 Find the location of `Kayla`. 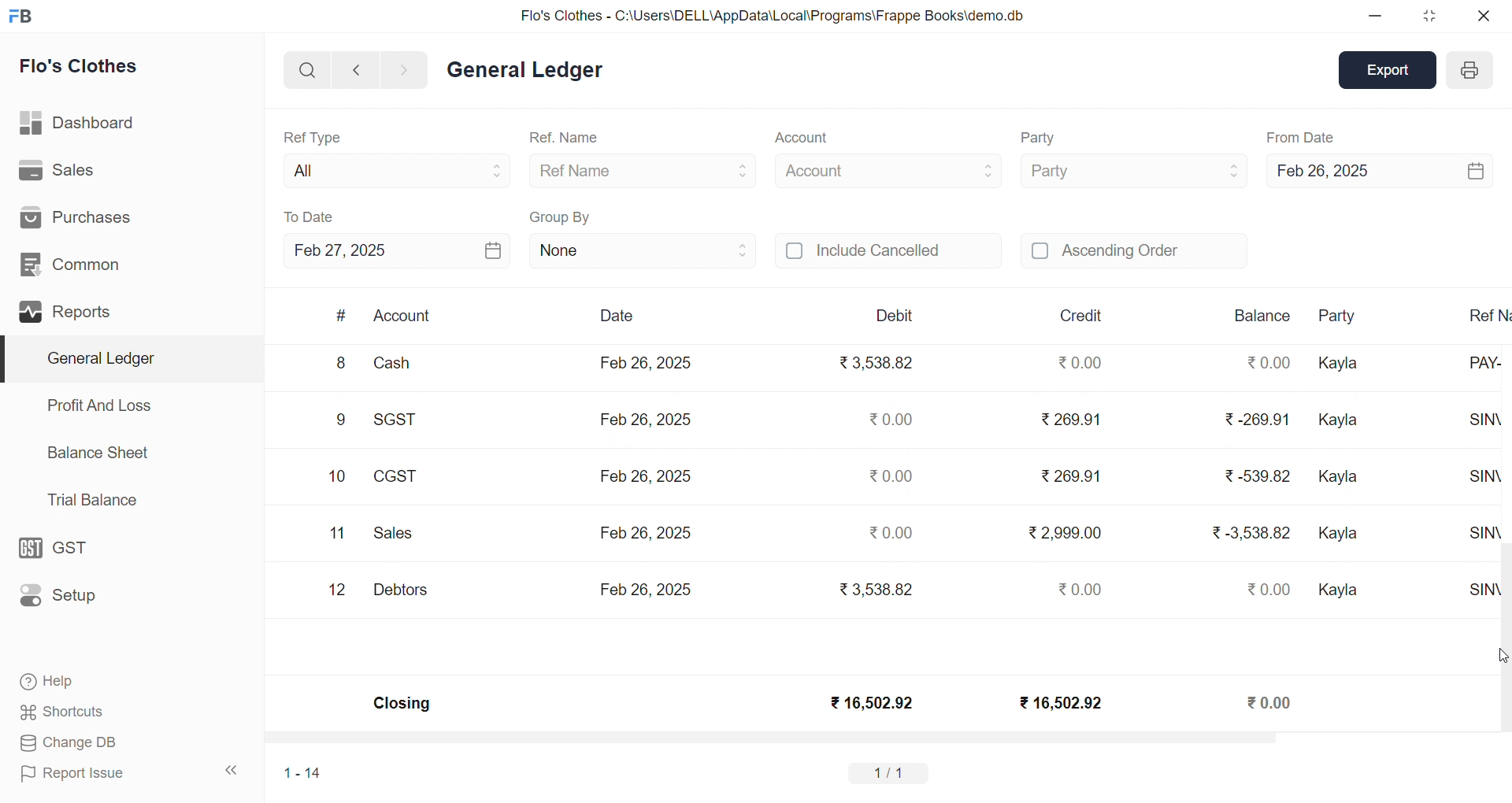

Kayla is located at coordinates (1340, 534).